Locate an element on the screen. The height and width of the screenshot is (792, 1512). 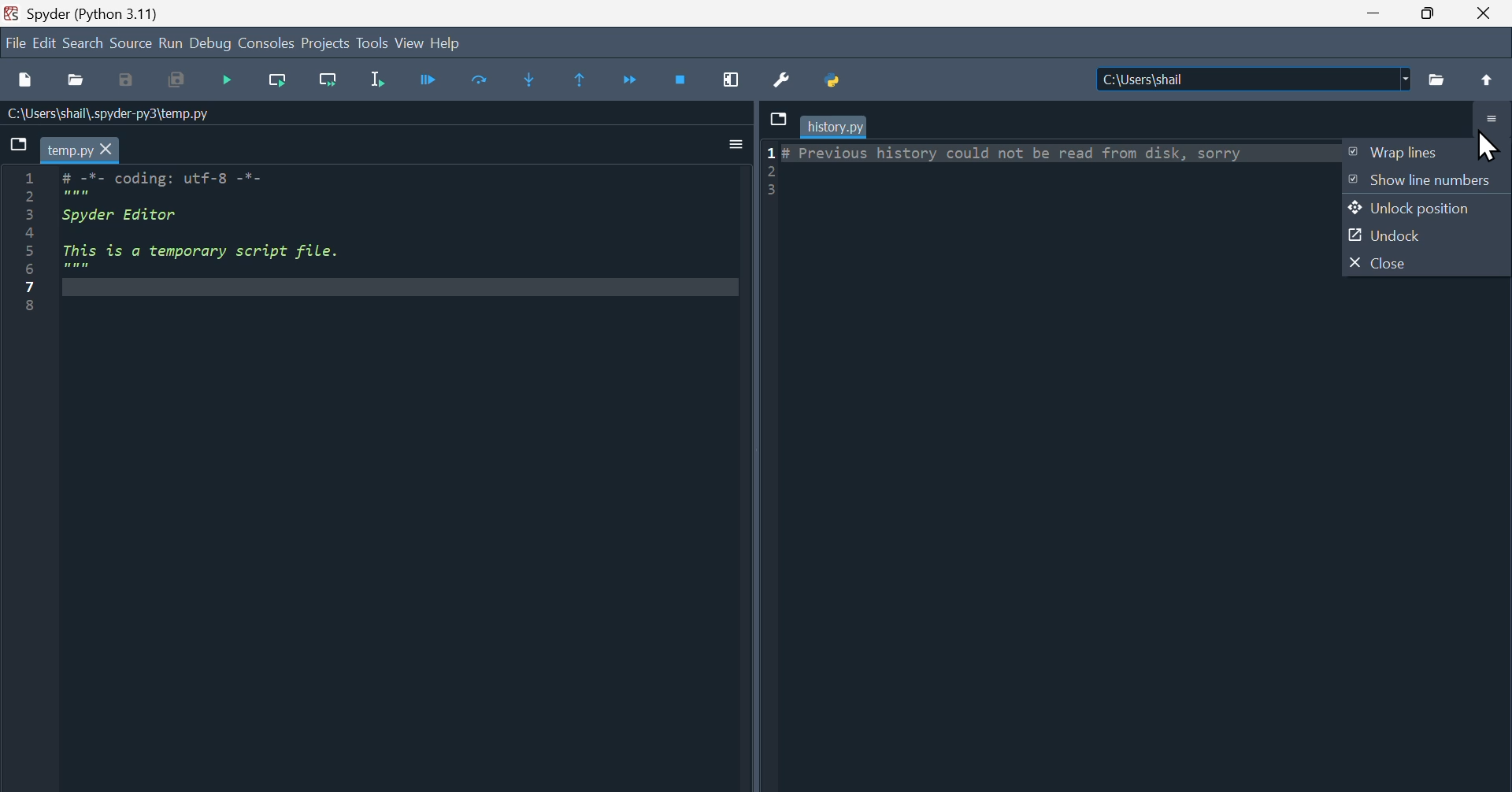
Consoles is located at coordinates (267, 44).